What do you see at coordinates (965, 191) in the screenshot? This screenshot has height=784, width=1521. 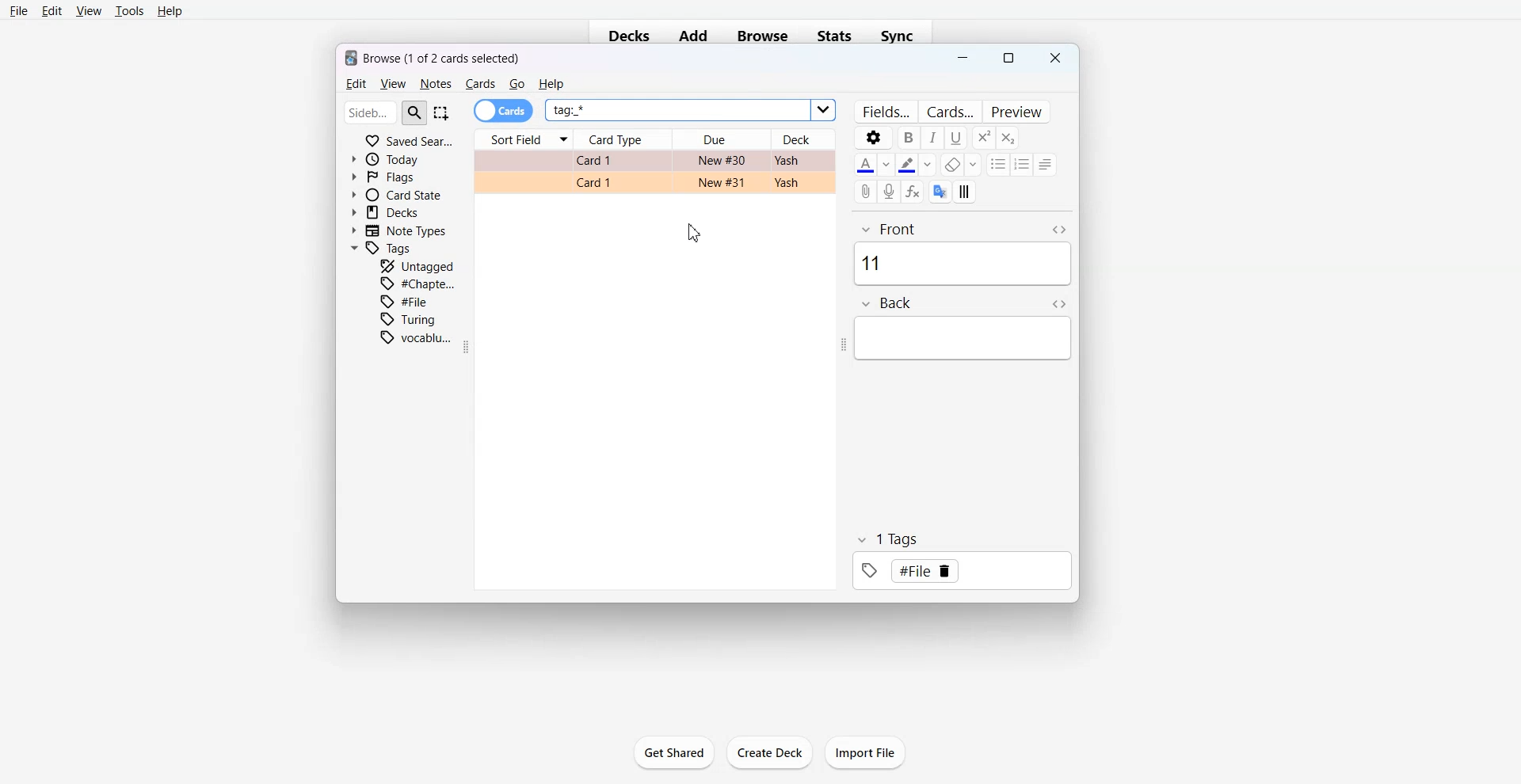 I see `Apply Custom style` at bounding box center [965, 191].